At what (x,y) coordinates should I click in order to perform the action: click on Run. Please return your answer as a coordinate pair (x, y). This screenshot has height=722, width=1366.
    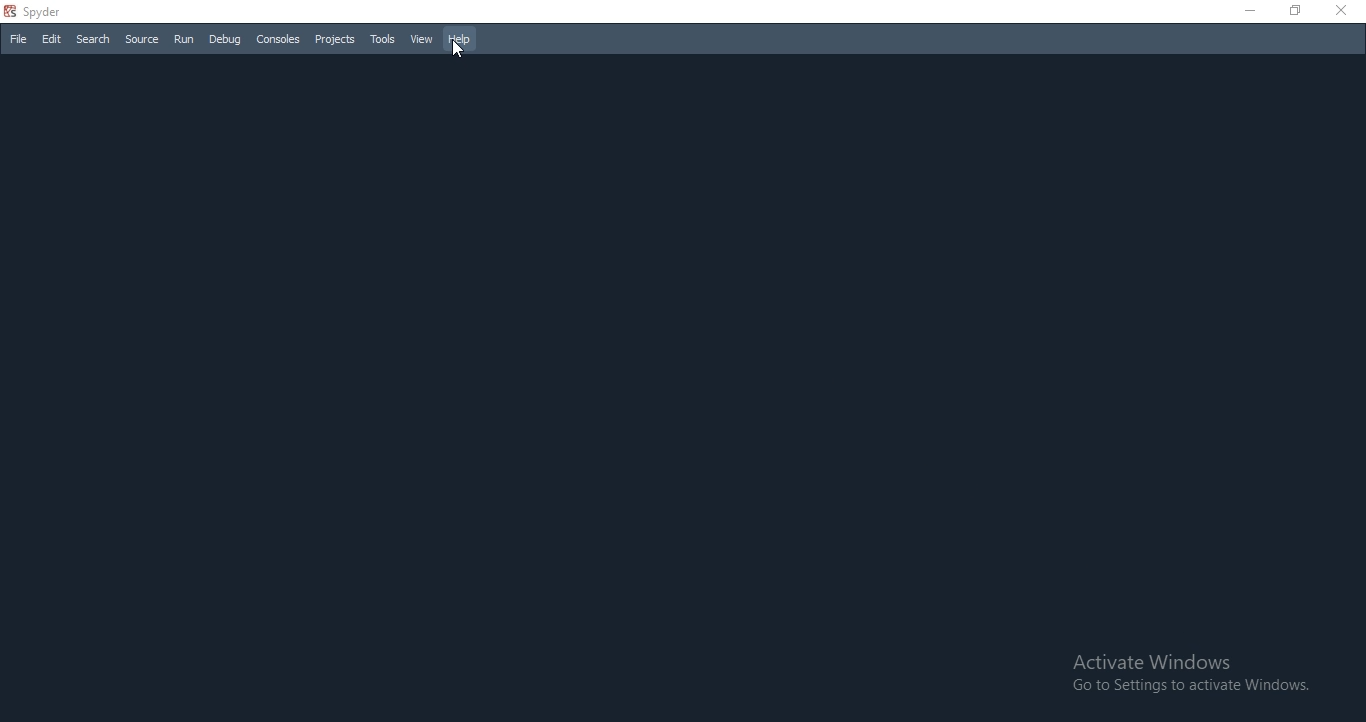
    Looking at the image, I should click on (184, 39).